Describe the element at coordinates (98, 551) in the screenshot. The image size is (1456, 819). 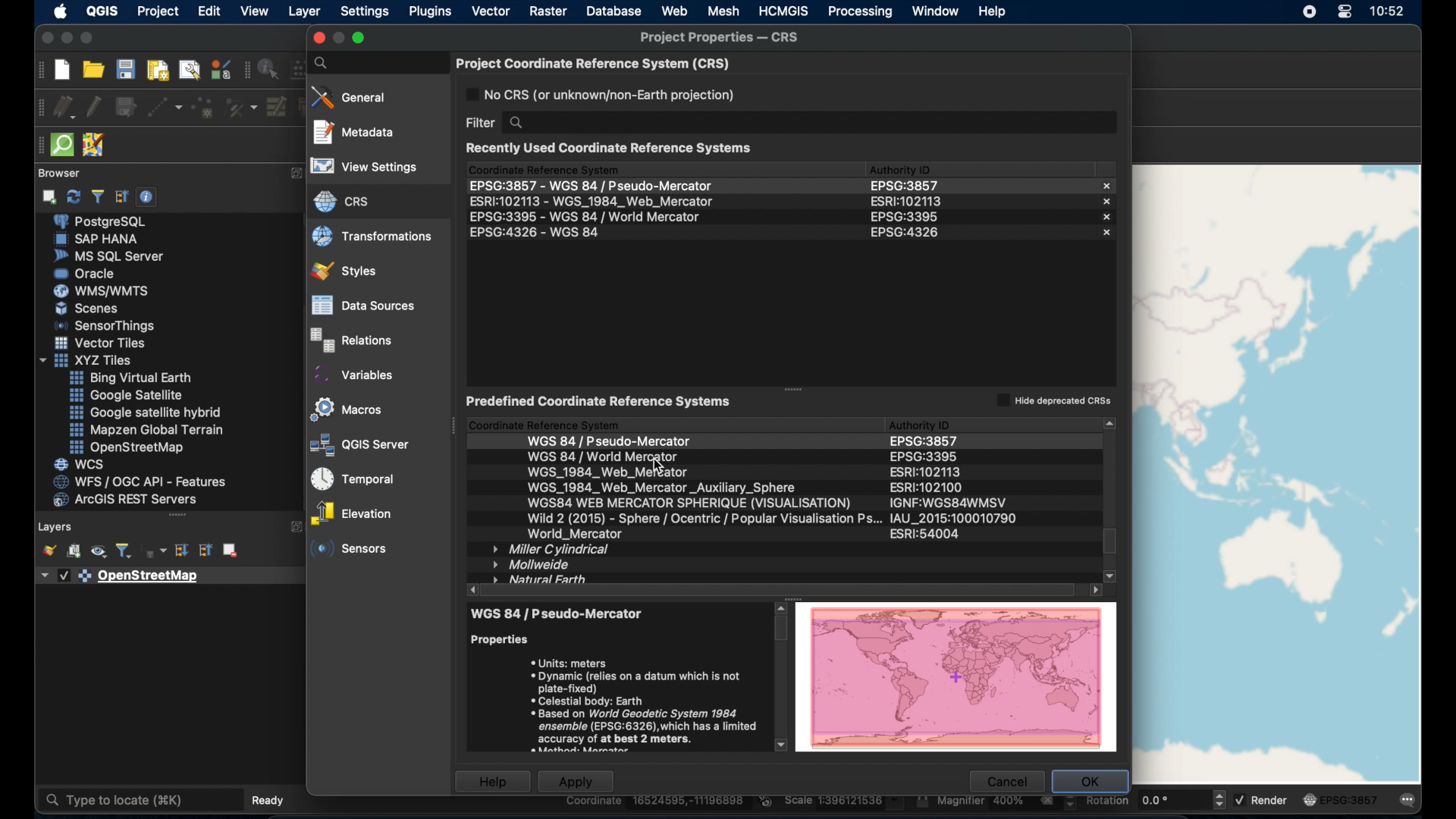
I see `manage map themes` at that location.